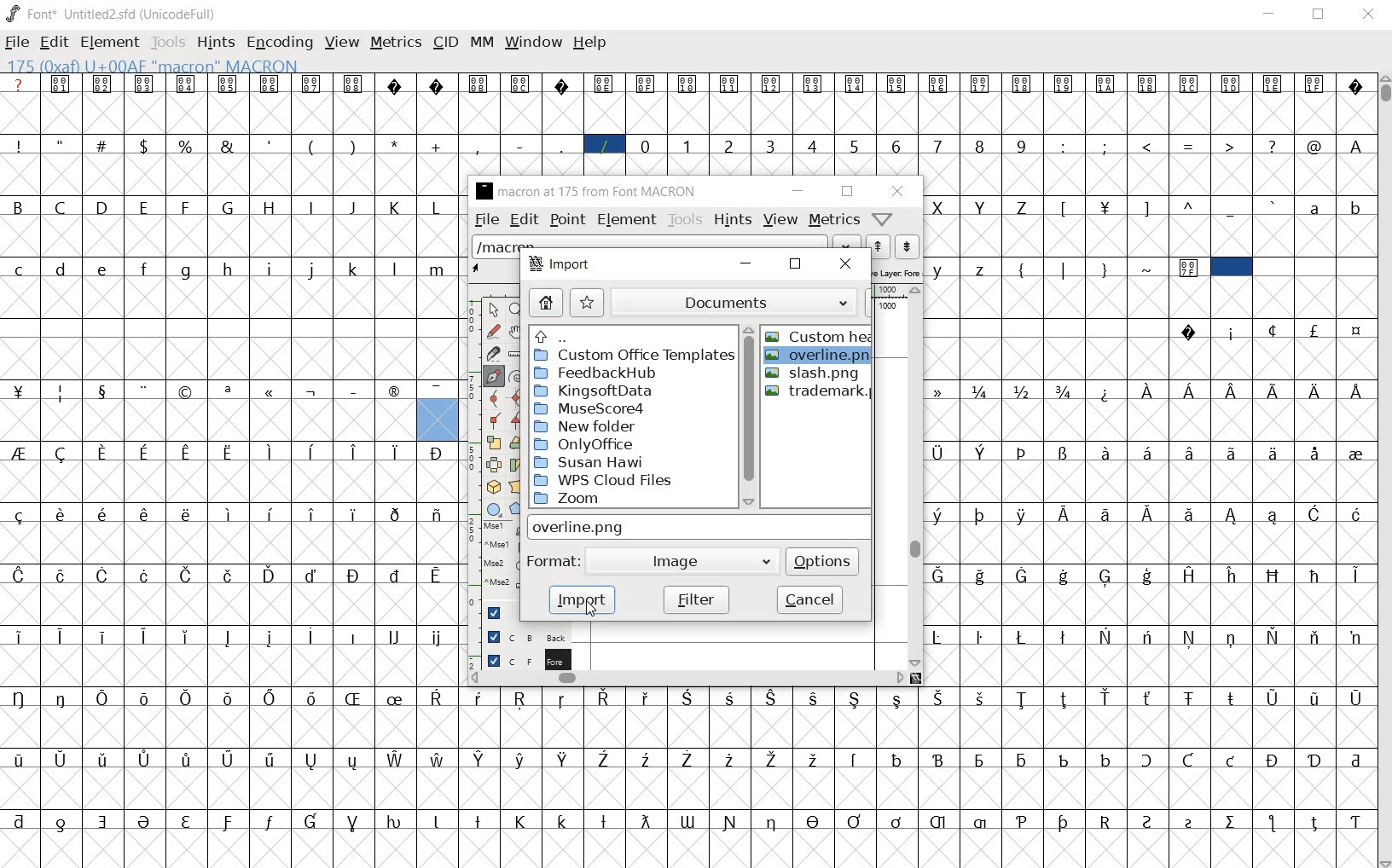  What do you see at coordinates (494, 421) in the screenshot?
I see `corner` at bounding box center [494, 421].